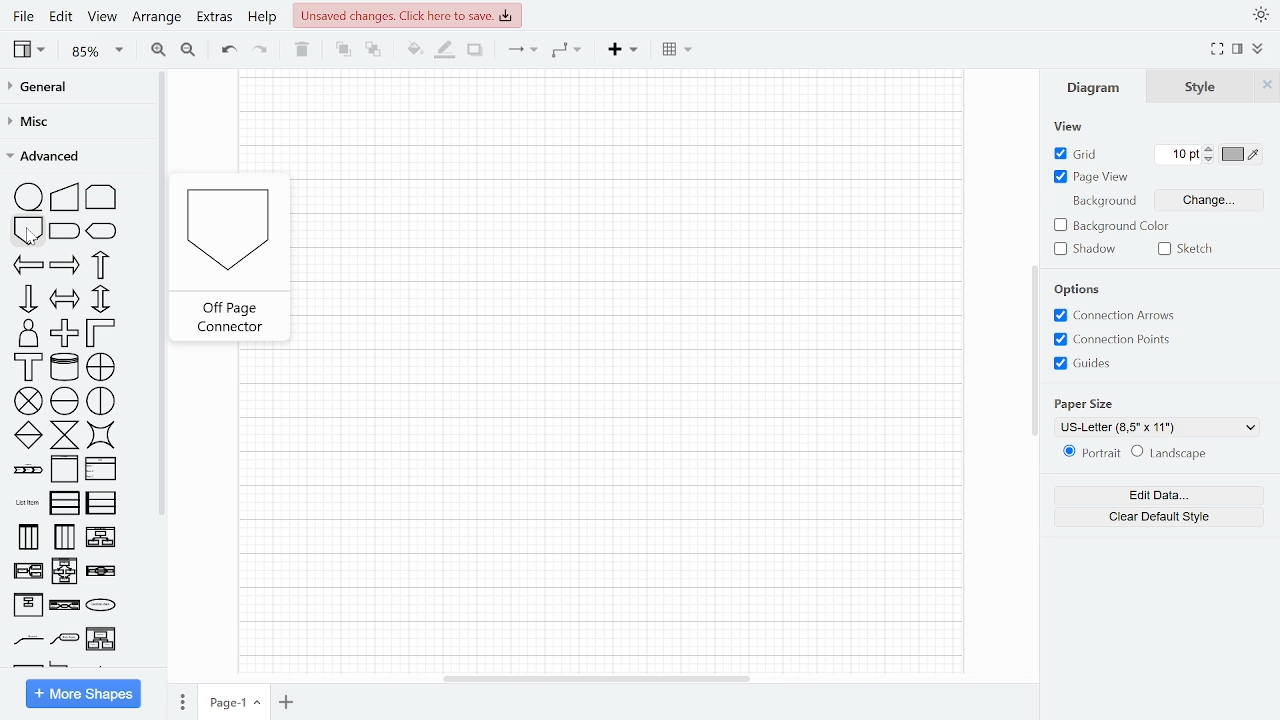 This screenshot has height=720, width=1280. Describe the element at coordinates (66, 607) in the screenshot. I see `central idea` at that location.